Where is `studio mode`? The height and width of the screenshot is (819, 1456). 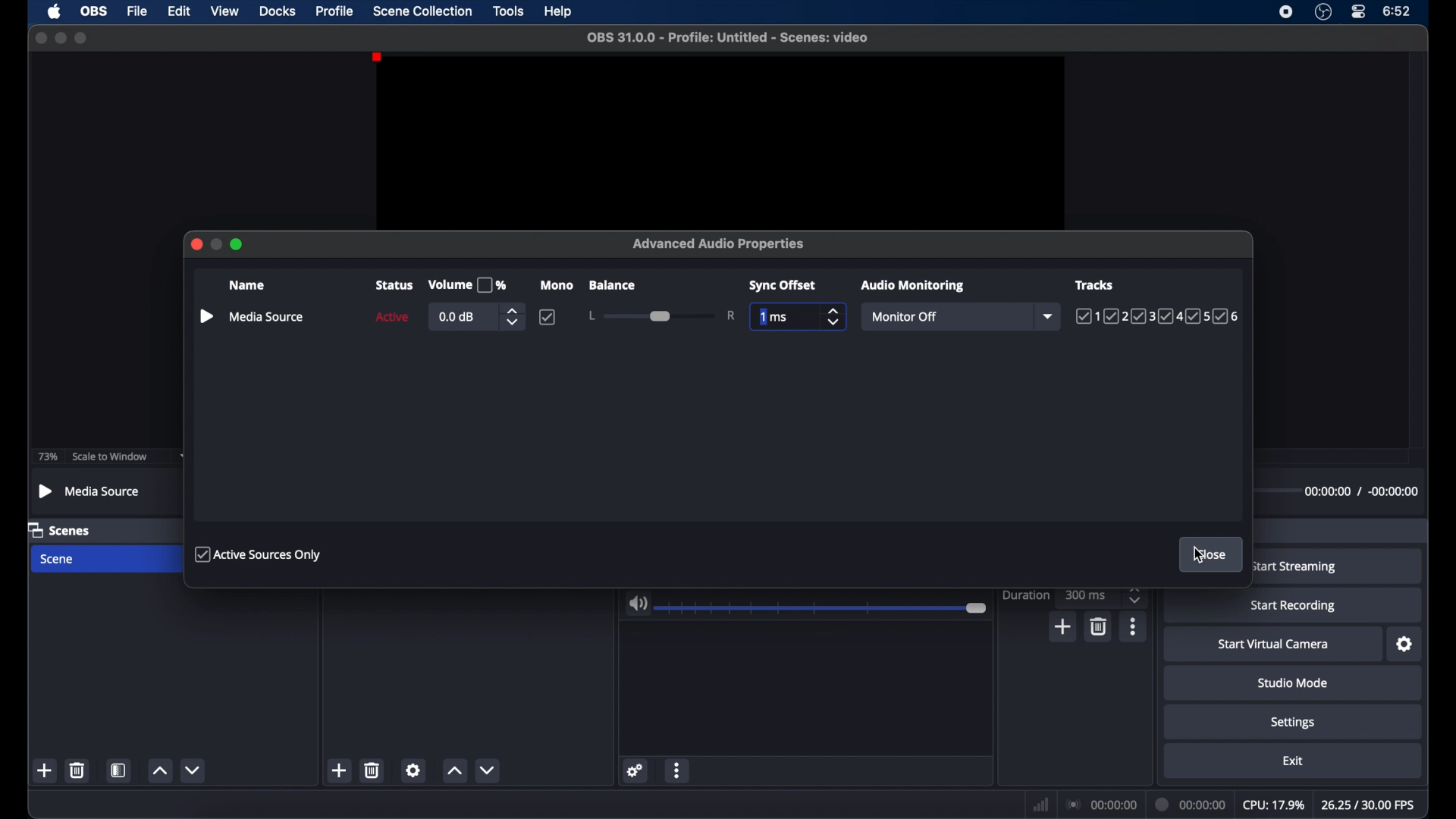 studio mode is located at coordinates (1293, 682).